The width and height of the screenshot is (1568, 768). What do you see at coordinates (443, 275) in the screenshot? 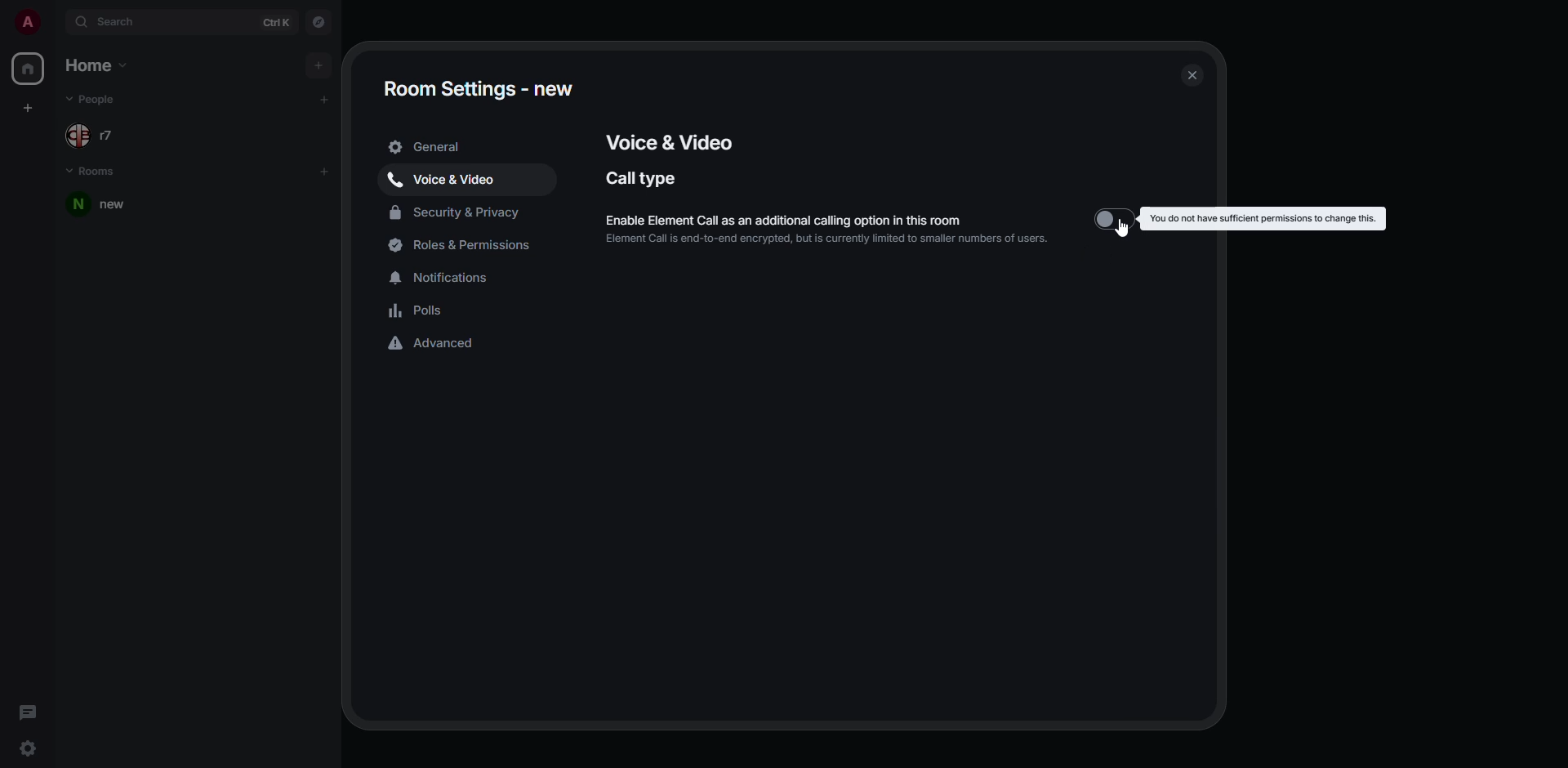
I see `notifications` at bounding box center [443, 275].